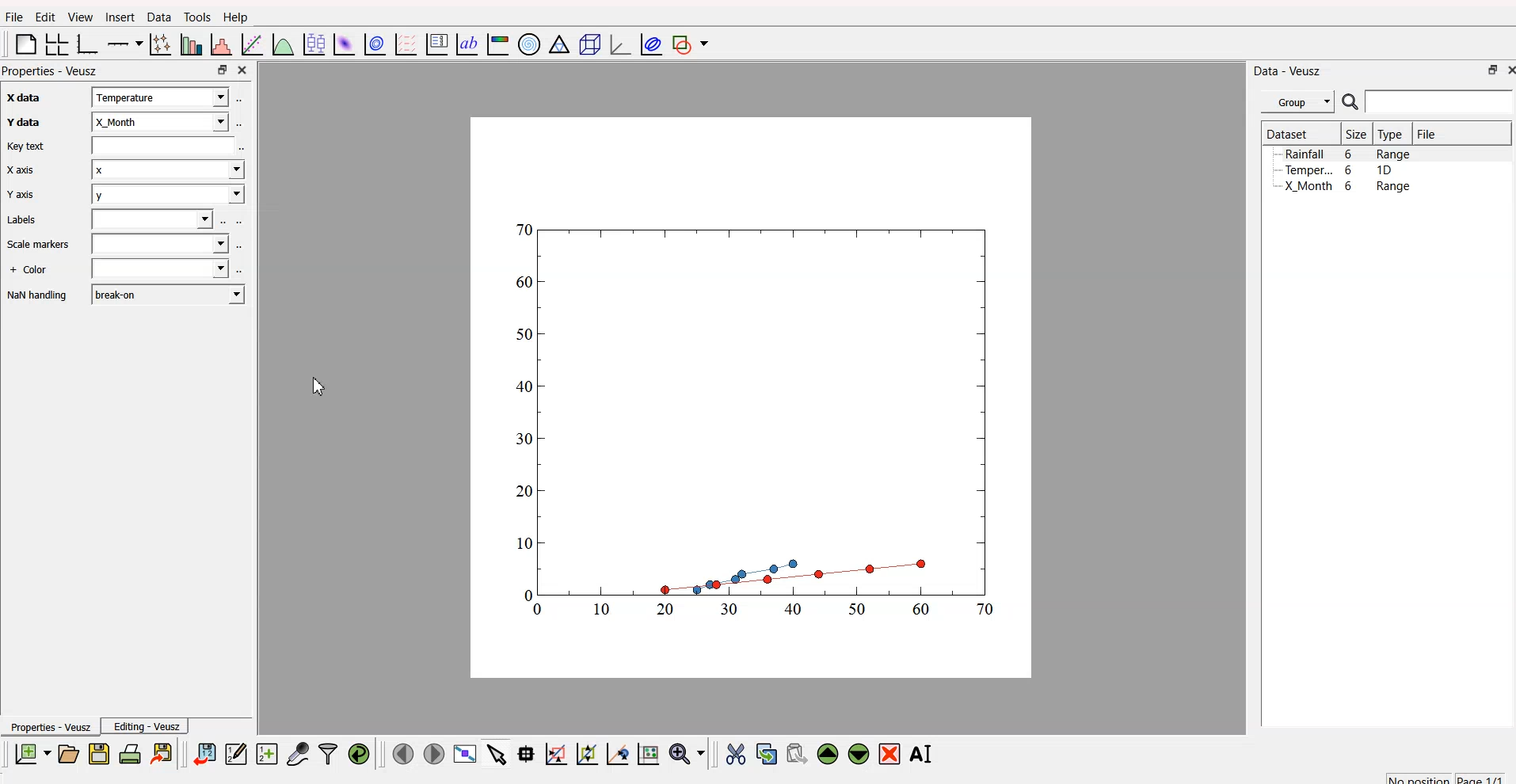 The height and width of the screenshot is (784, 1516). Describe the element at coordinates (404, 45) in the screenshot. I see `plot a vector field` at that location.